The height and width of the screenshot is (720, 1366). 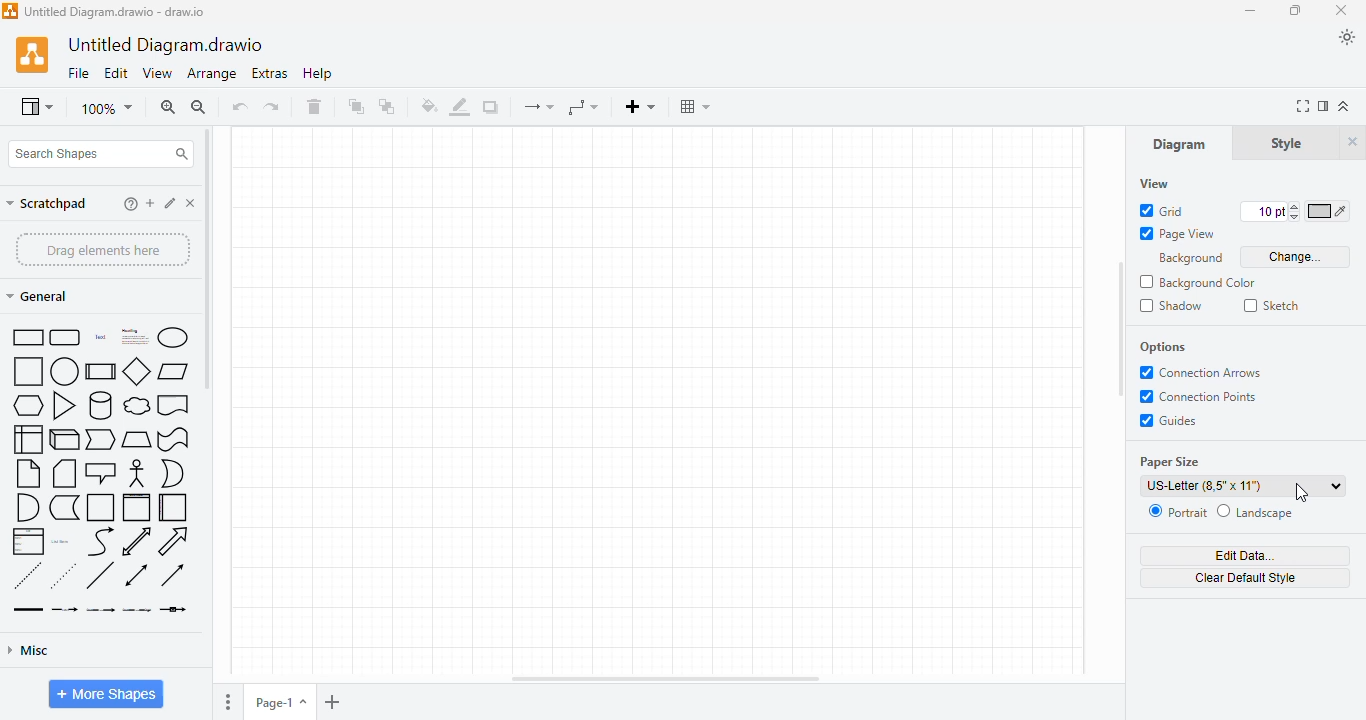 What do you see at coordinates (1177, 512) in the screenshot?
I see `portrait` at bounding box center [1177, 512].